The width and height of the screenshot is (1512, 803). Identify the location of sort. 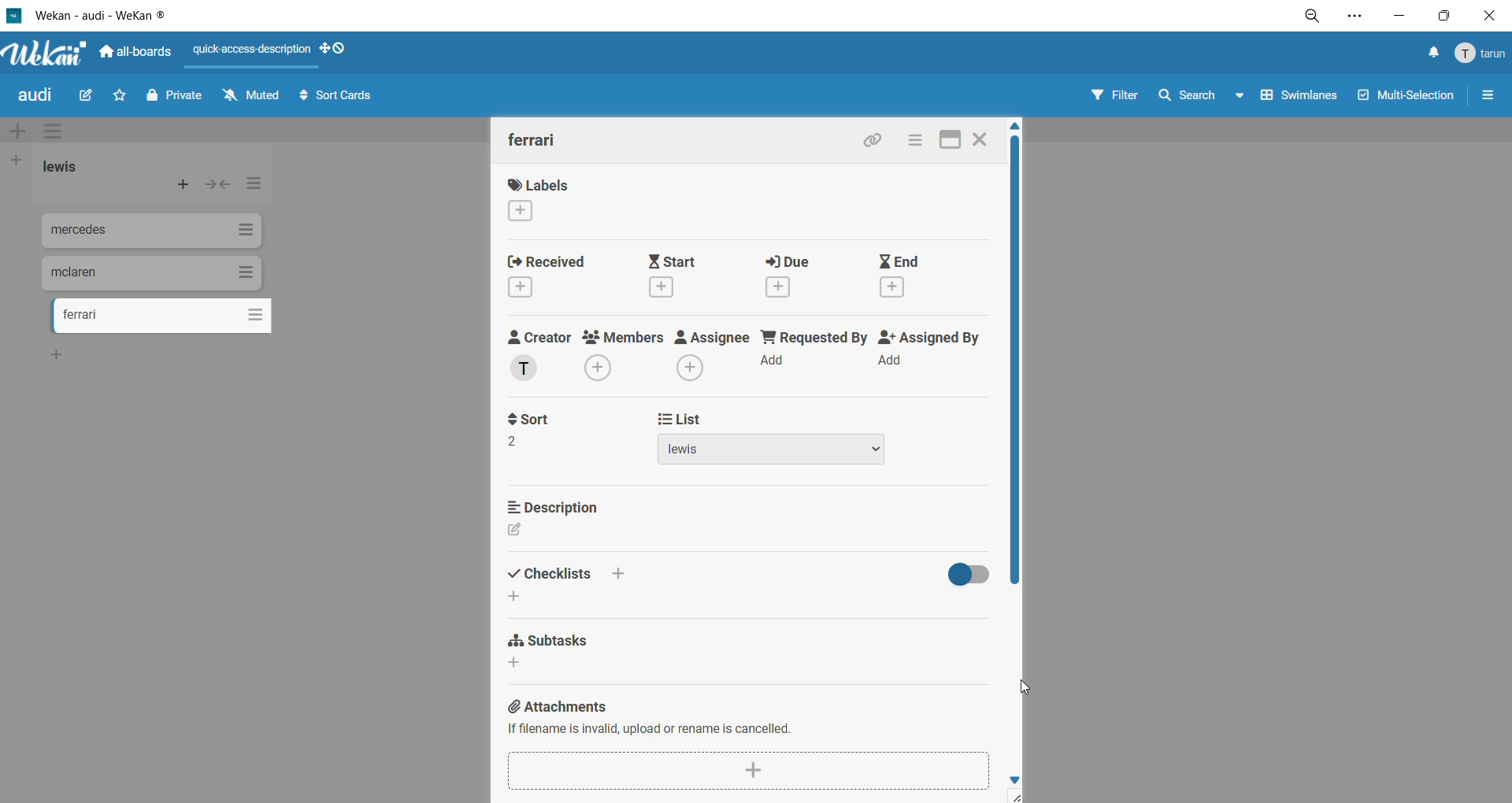
(543, 428).